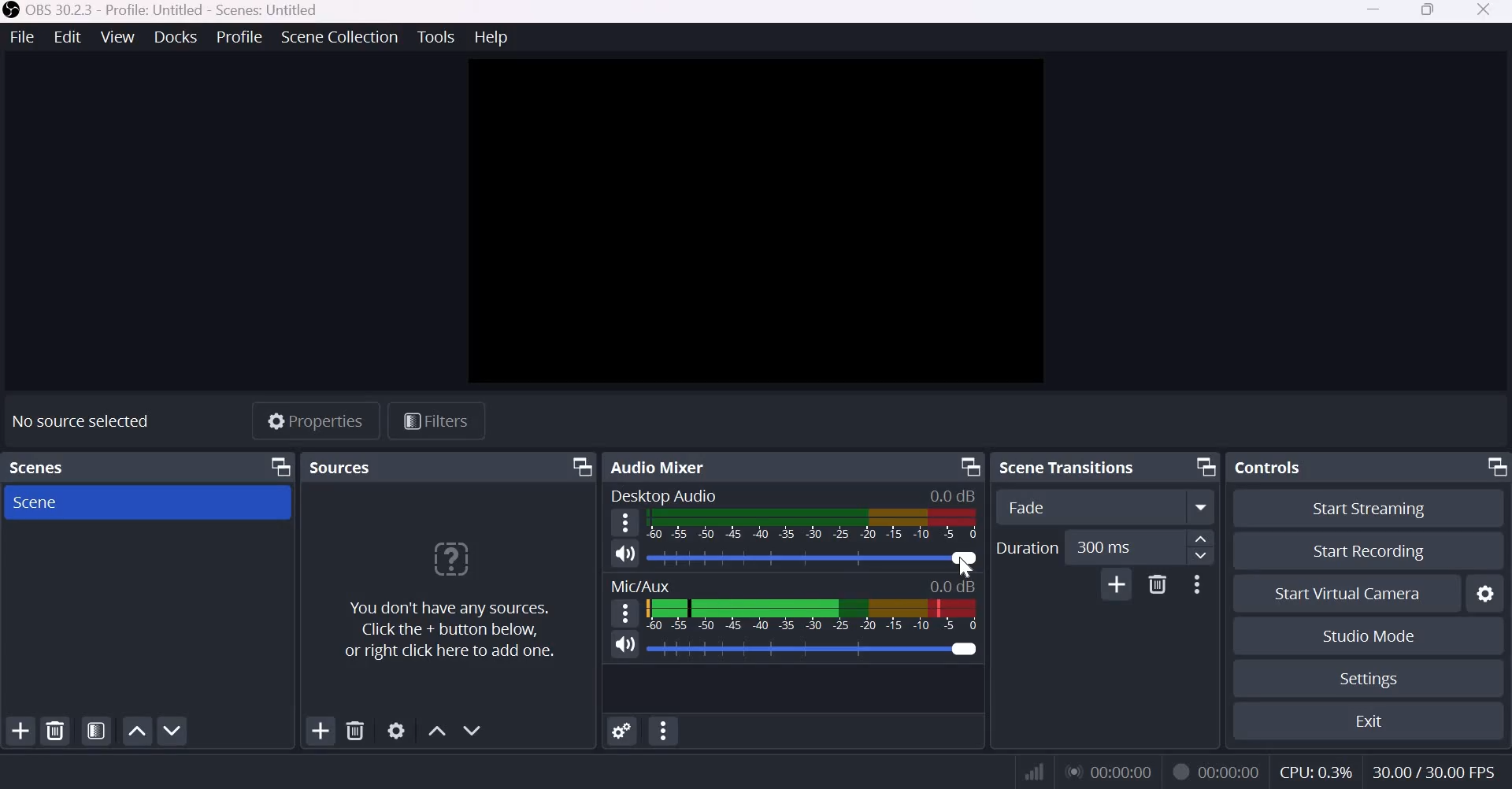 The height and width of the screenshot is (789, 1512). Describe the element at coordinates (117, 37) in the screenshot. I see `View` at that location.